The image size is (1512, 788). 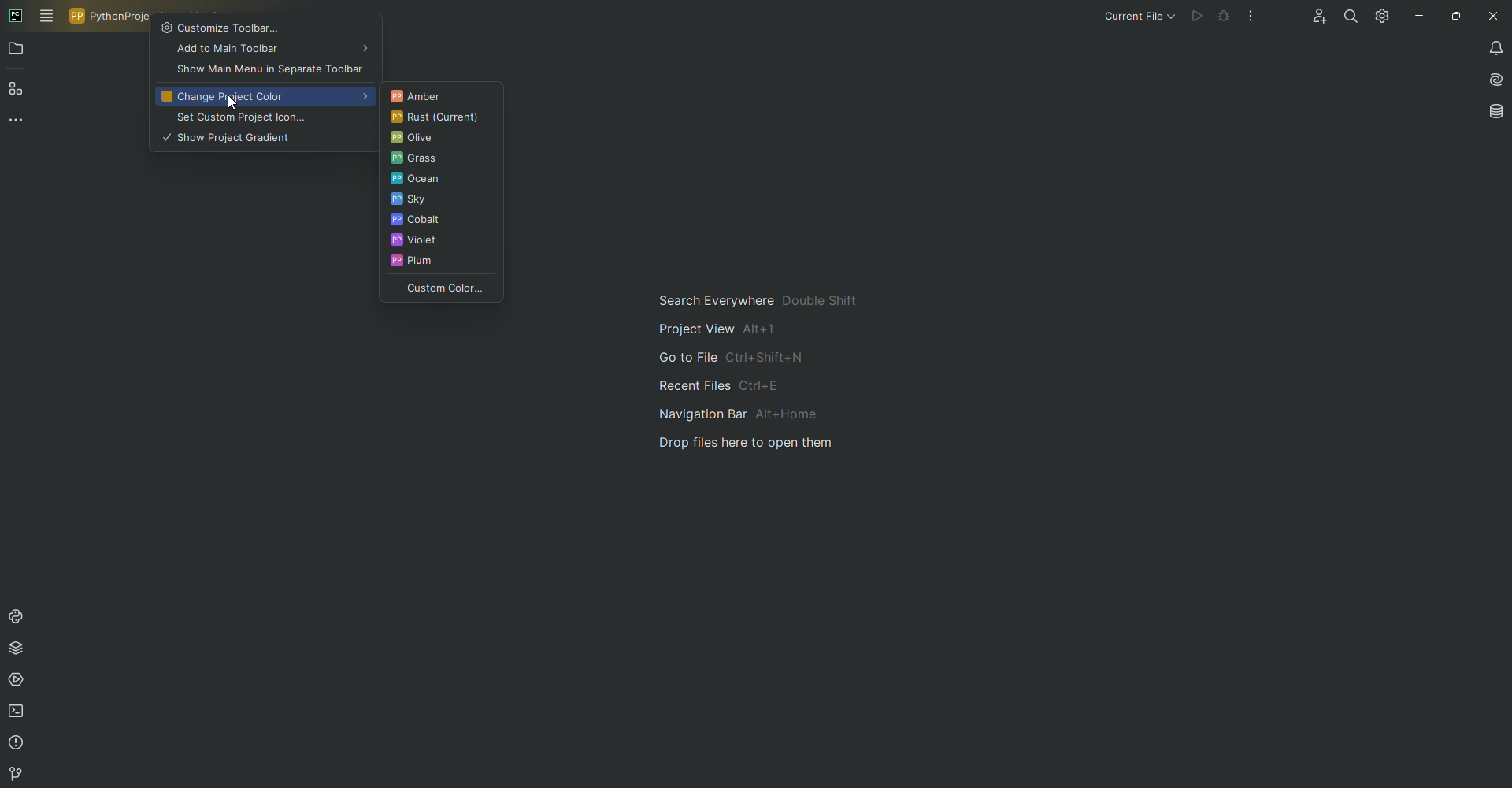 What do you see at coordinates (1415, 15) in the screenshot?
I see `Minimize` at bounding box center [1415, 15].